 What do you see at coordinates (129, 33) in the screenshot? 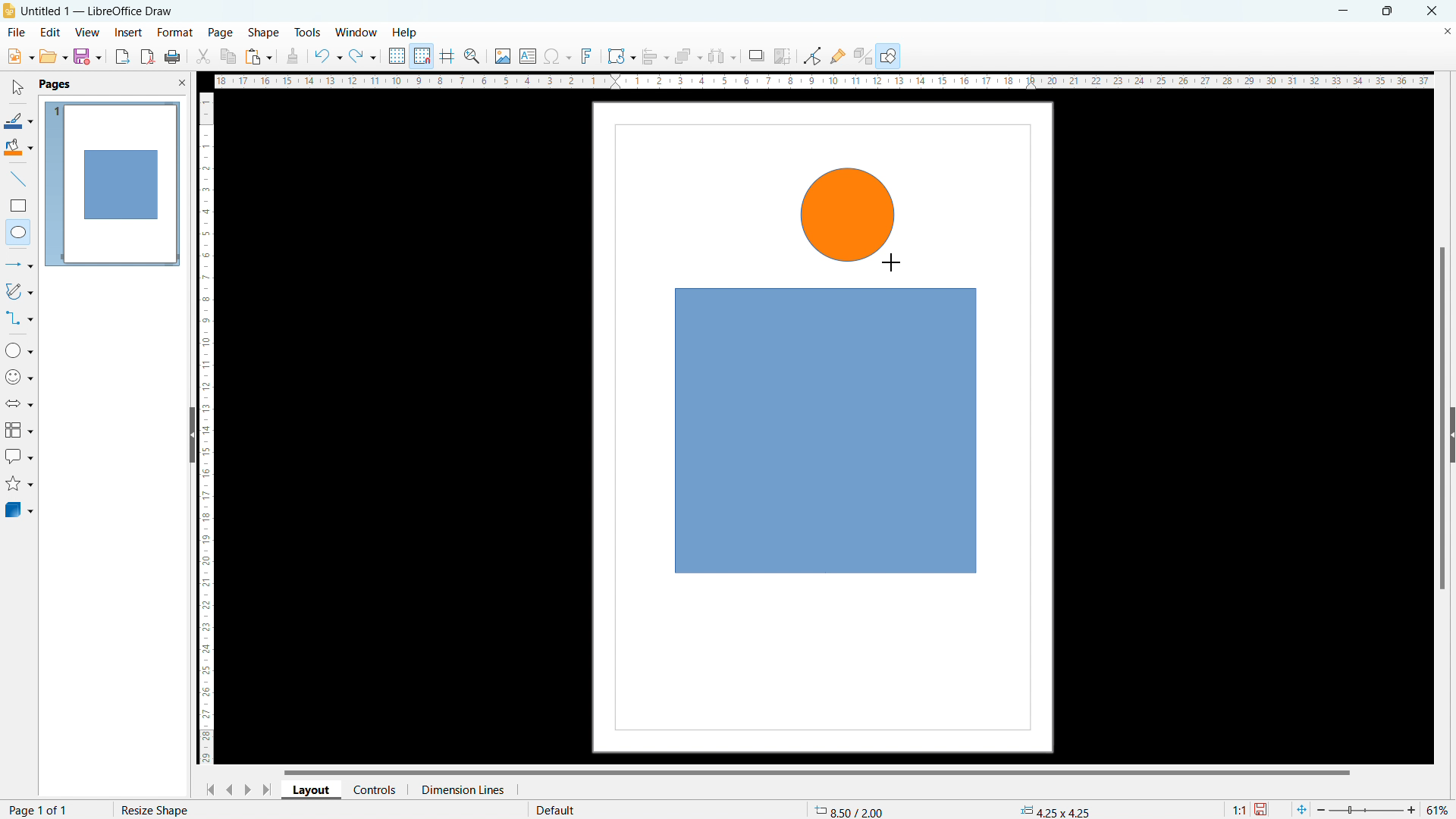
I see `insert` at bounding box center [129, 33].